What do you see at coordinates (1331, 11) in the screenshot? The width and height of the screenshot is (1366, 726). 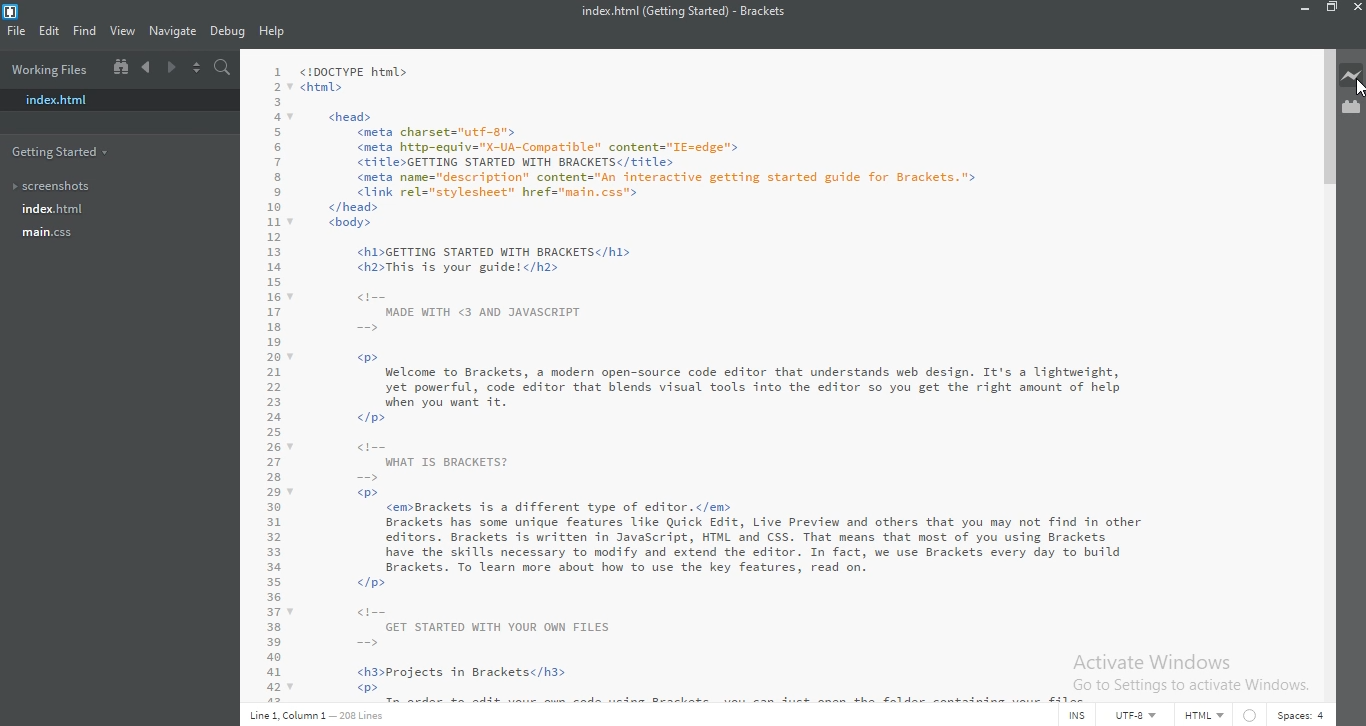 I see `restore` at bounding box center [1331, 11].